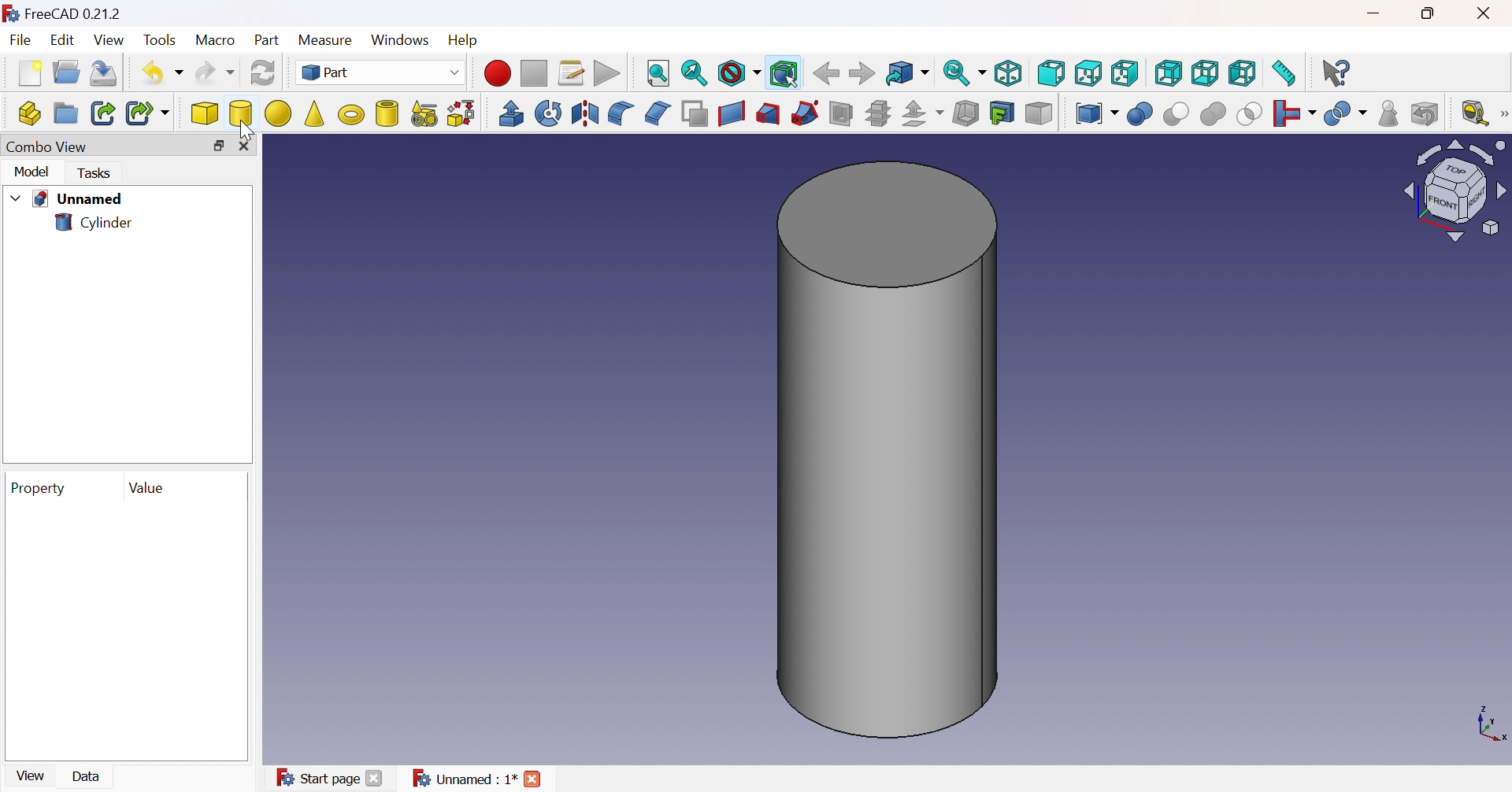  Describe the element at coordinates (161, 76) in the screenshot. I see `Undo` at that location.